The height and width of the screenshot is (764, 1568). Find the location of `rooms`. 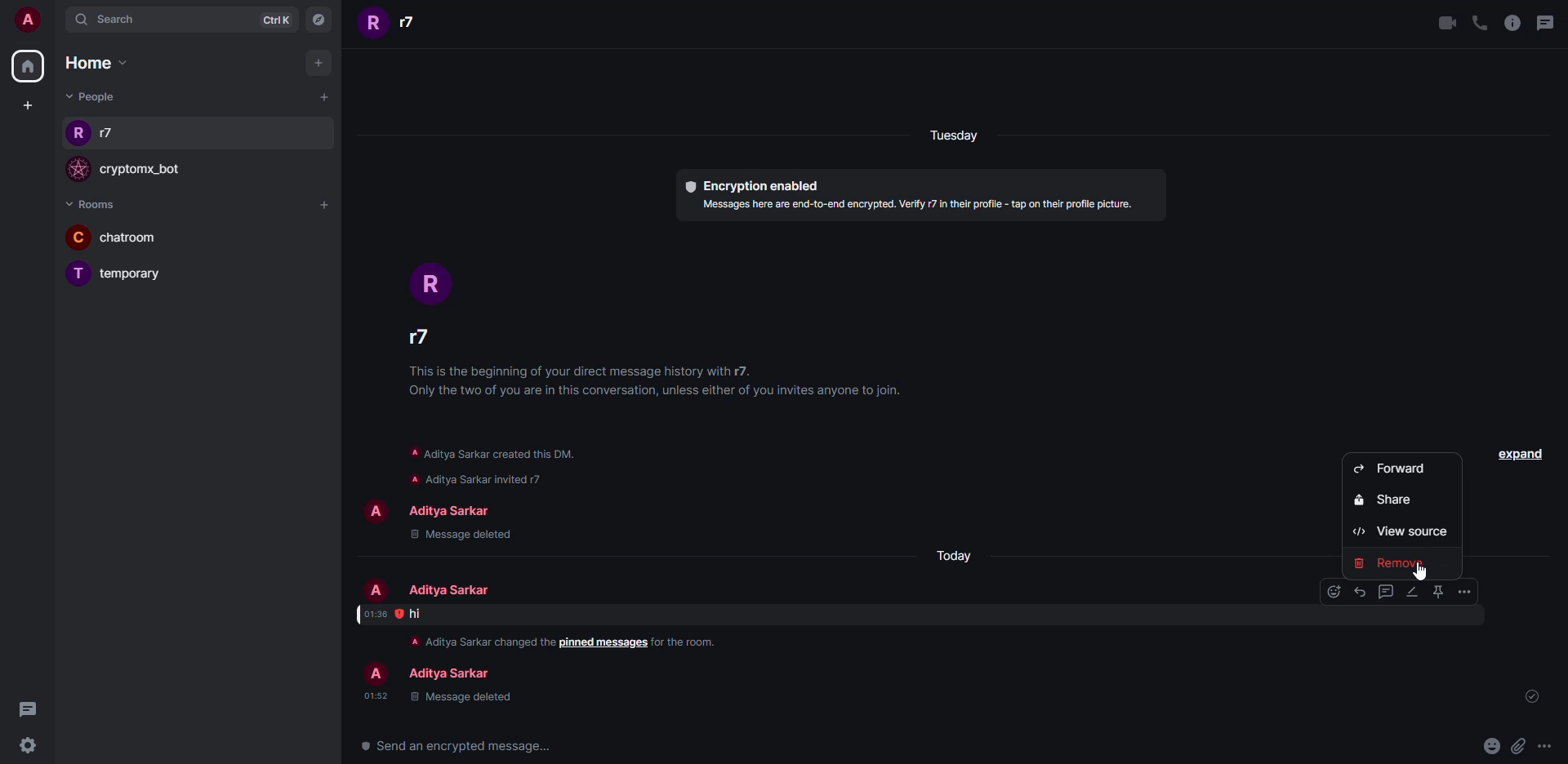

rooms is located at coordinates (90, 205).